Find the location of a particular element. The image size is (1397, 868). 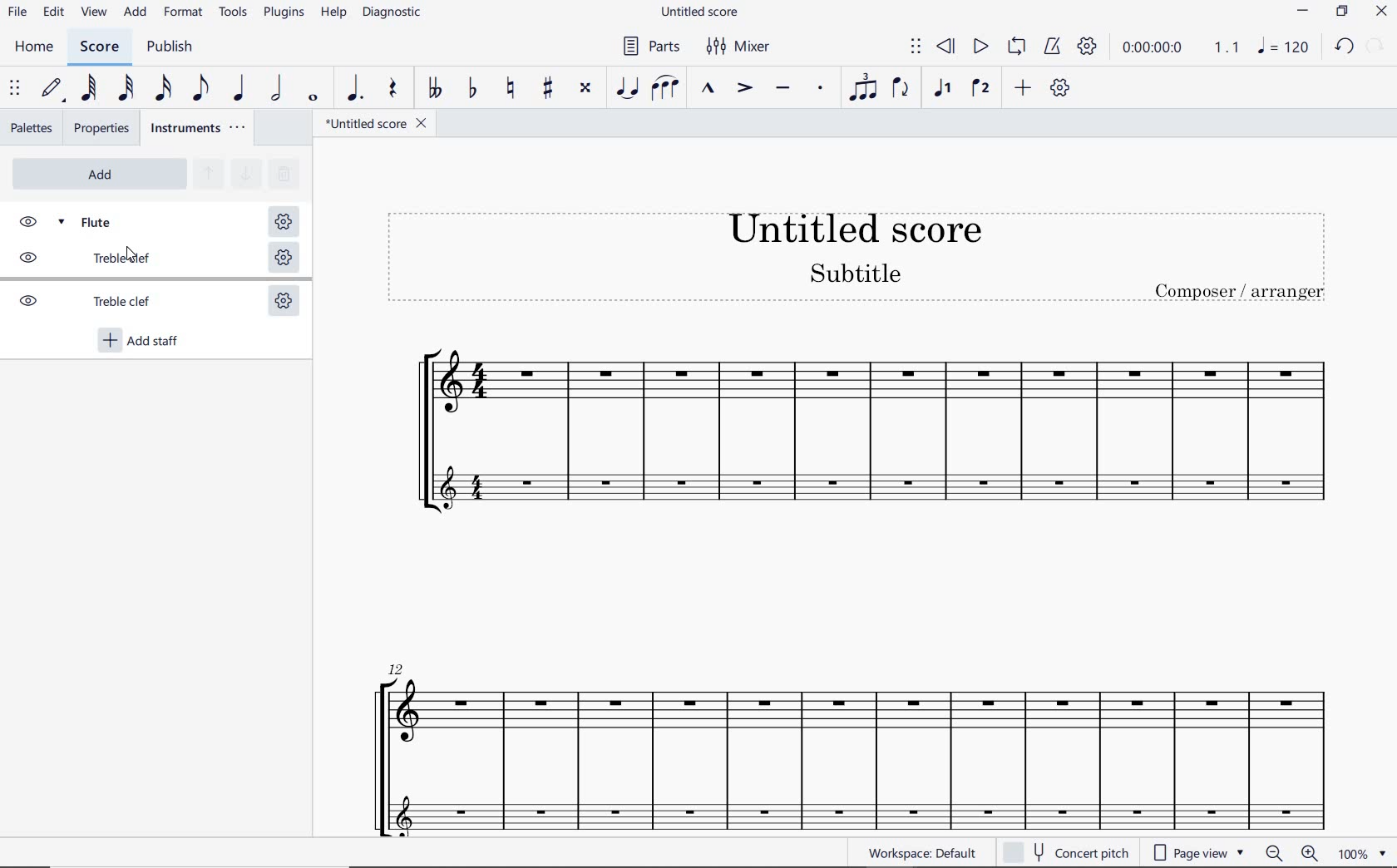

zoom factor is located at coordinates (1360, 854).